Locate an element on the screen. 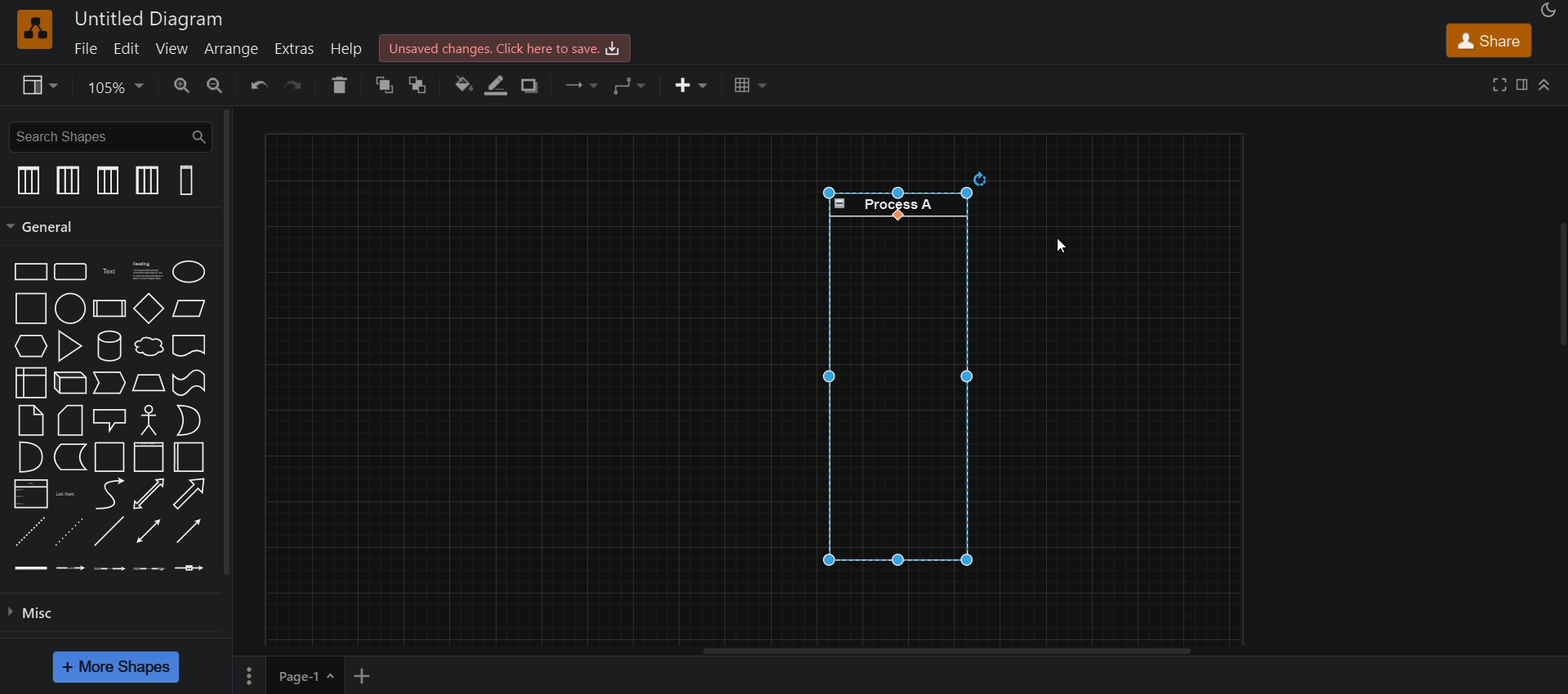  data storage is located at coordinates (69, 459).